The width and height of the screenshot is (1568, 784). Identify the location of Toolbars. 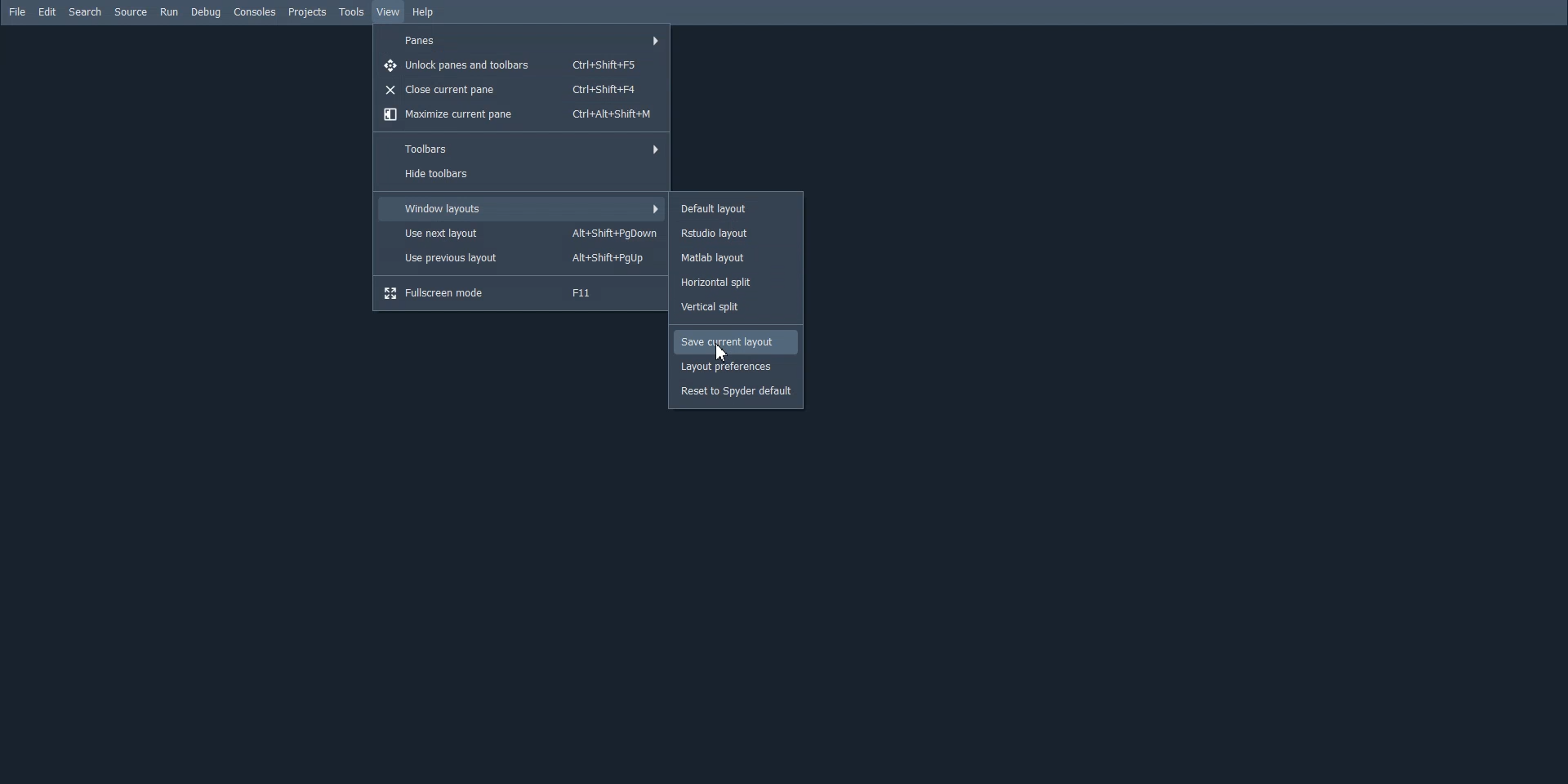
(519, 149).